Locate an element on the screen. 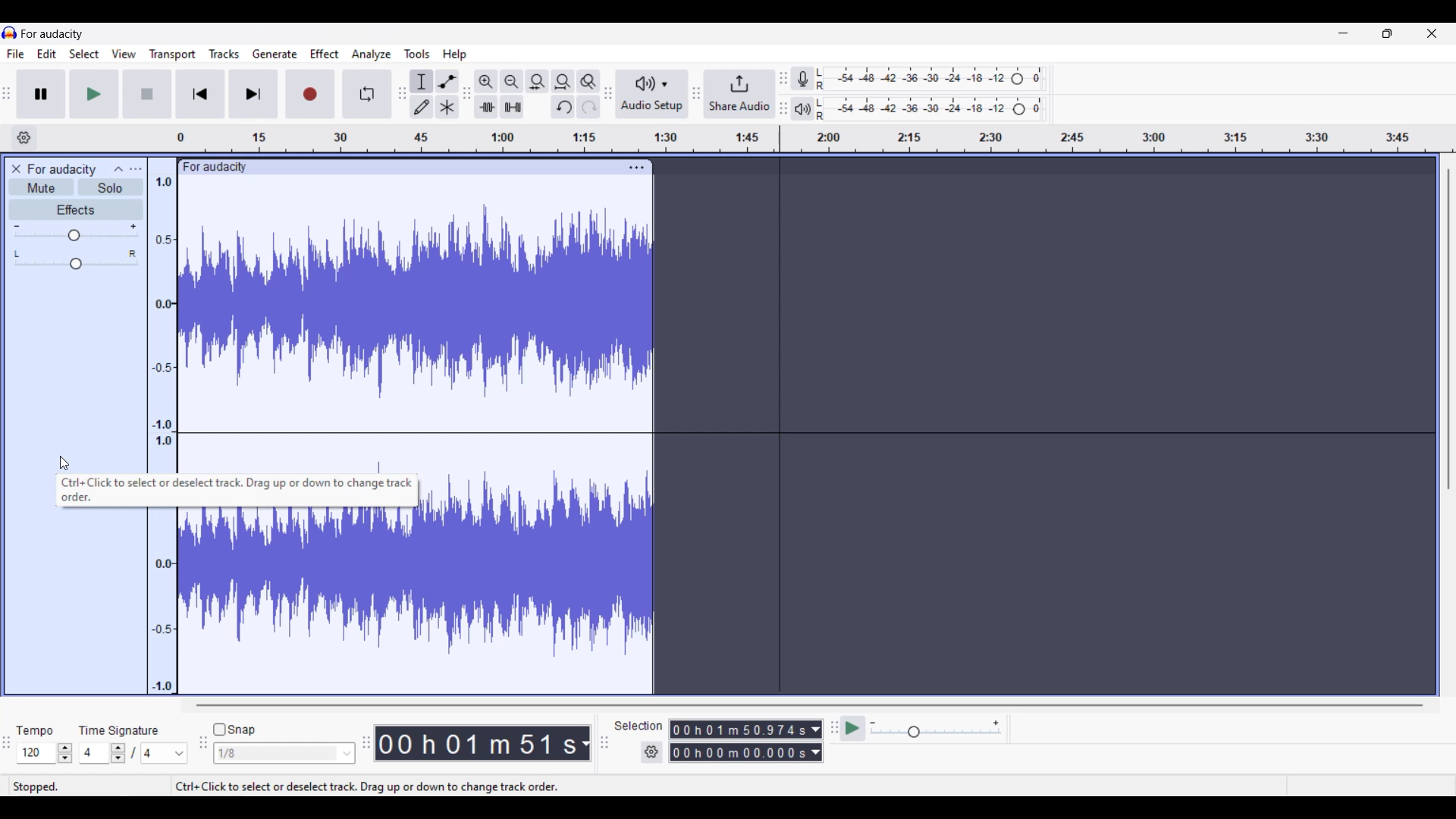  Mute is located at coordinates (42, 187).